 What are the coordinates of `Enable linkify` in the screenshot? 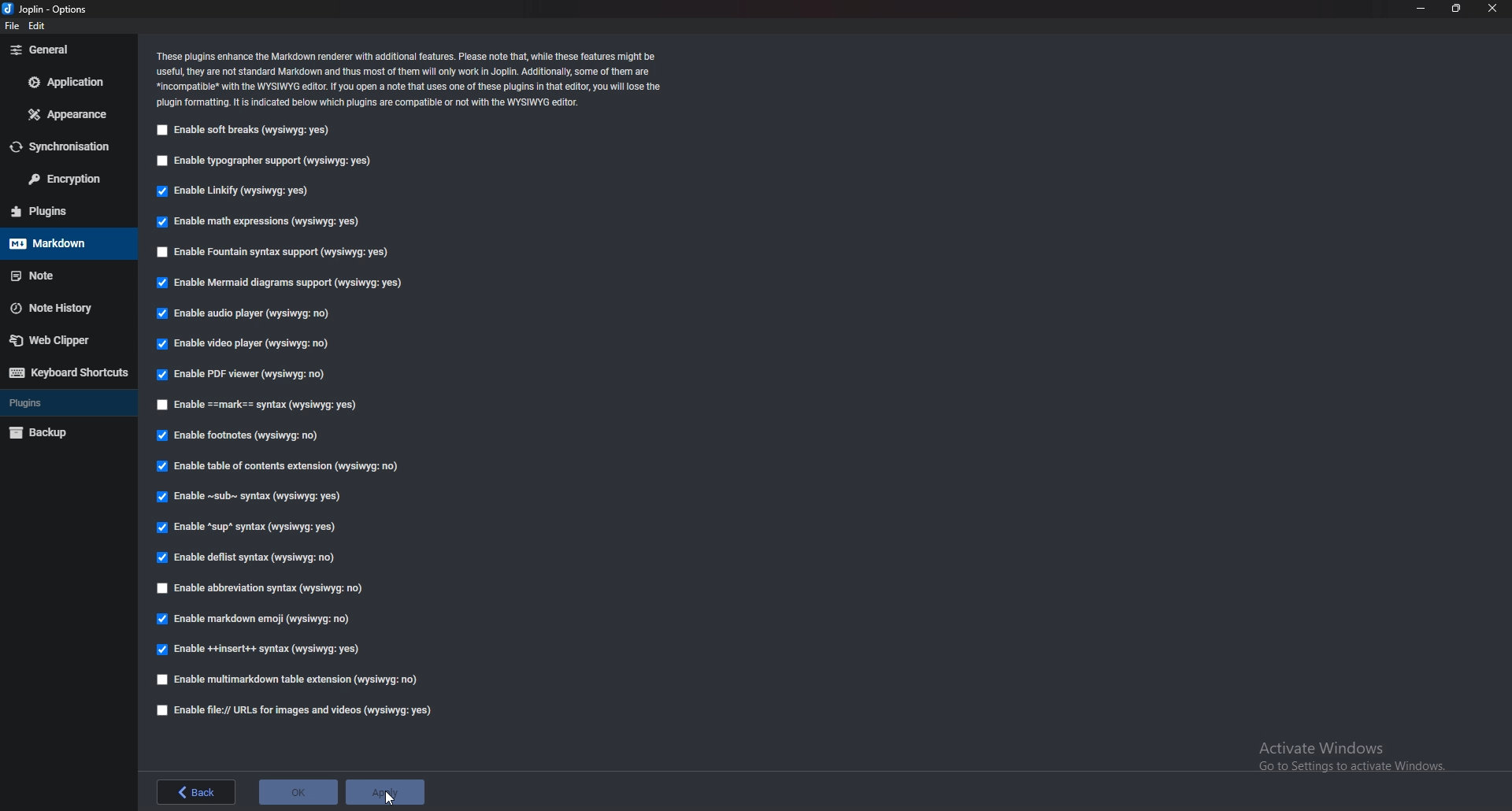 It's located at (233, 193).